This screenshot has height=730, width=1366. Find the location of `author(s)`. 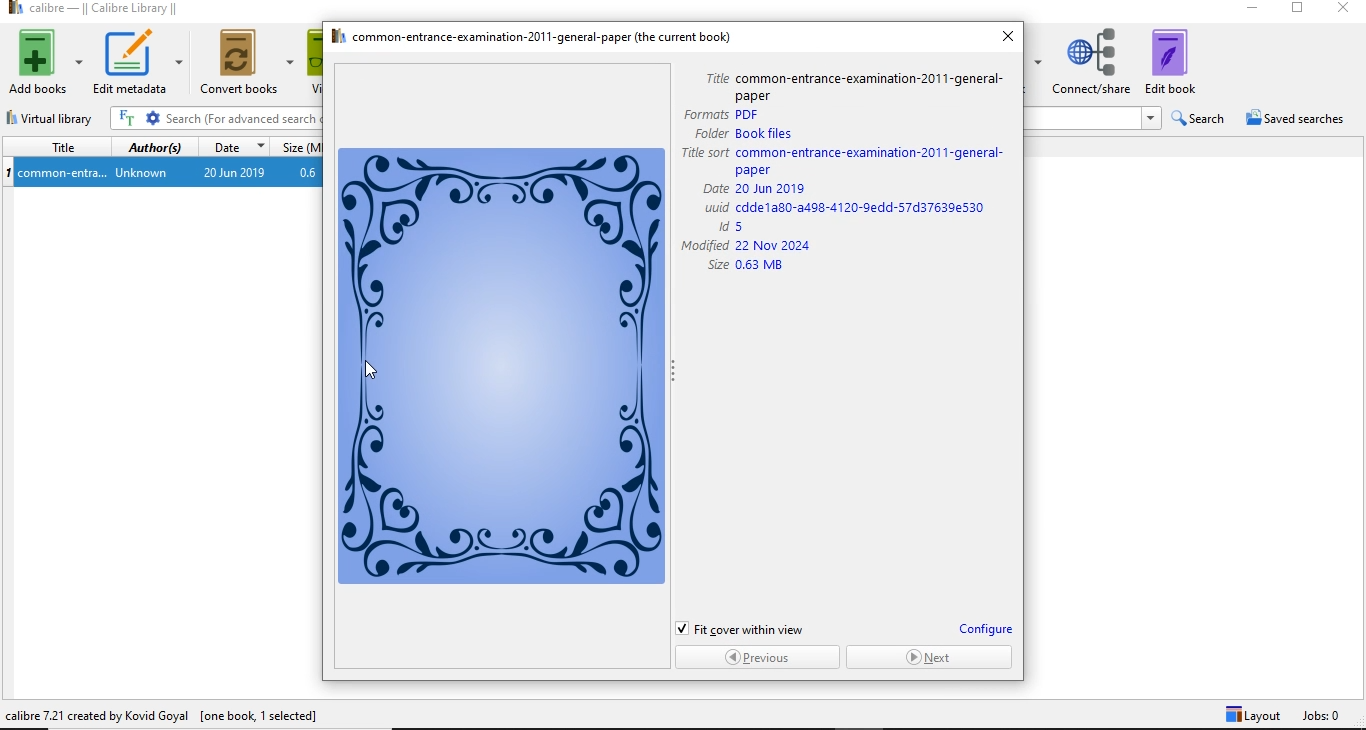

author(s) is located at coordinates (155, 149).